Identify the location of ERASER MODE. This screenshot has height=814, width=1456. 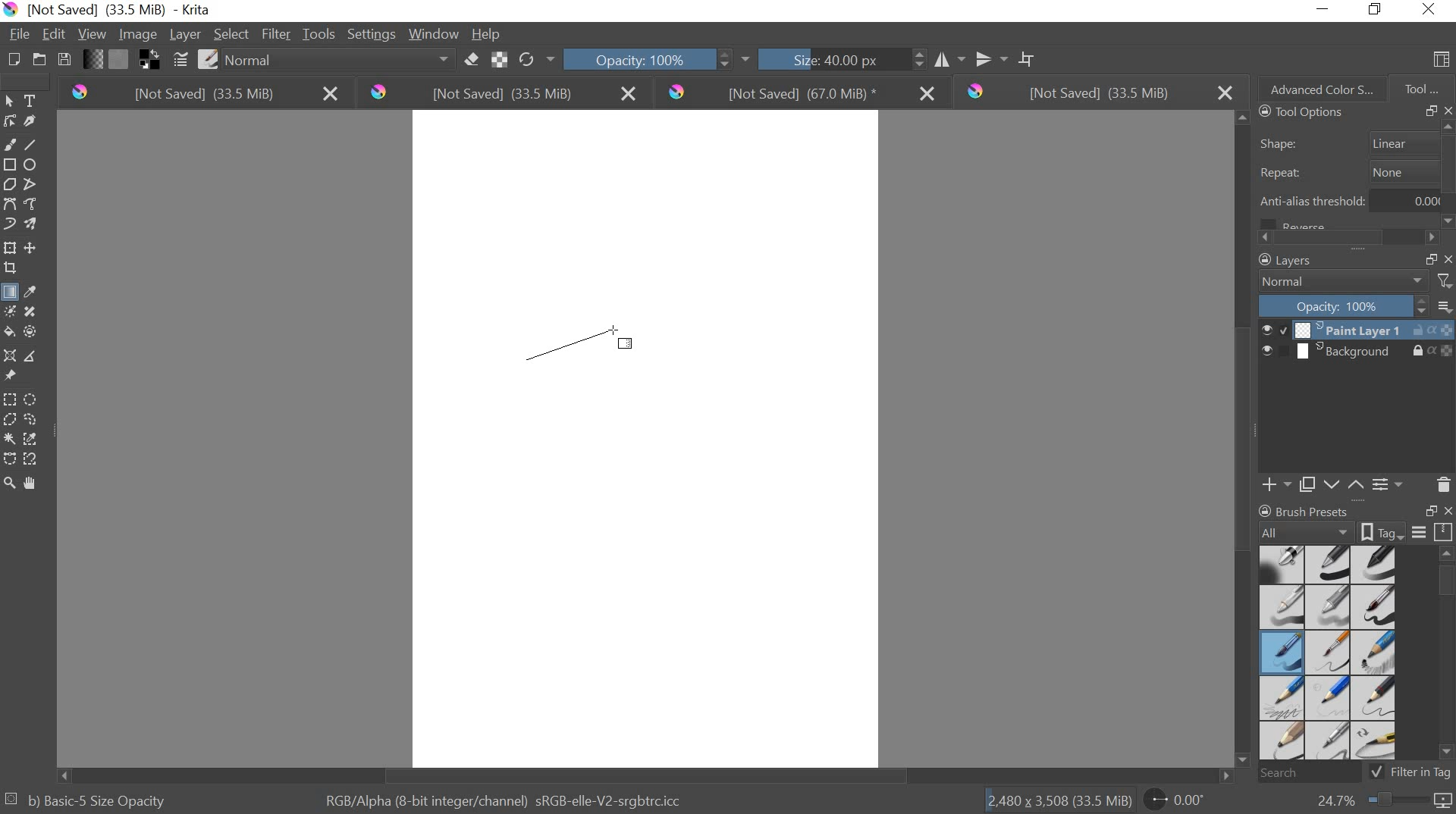
(470, 61).